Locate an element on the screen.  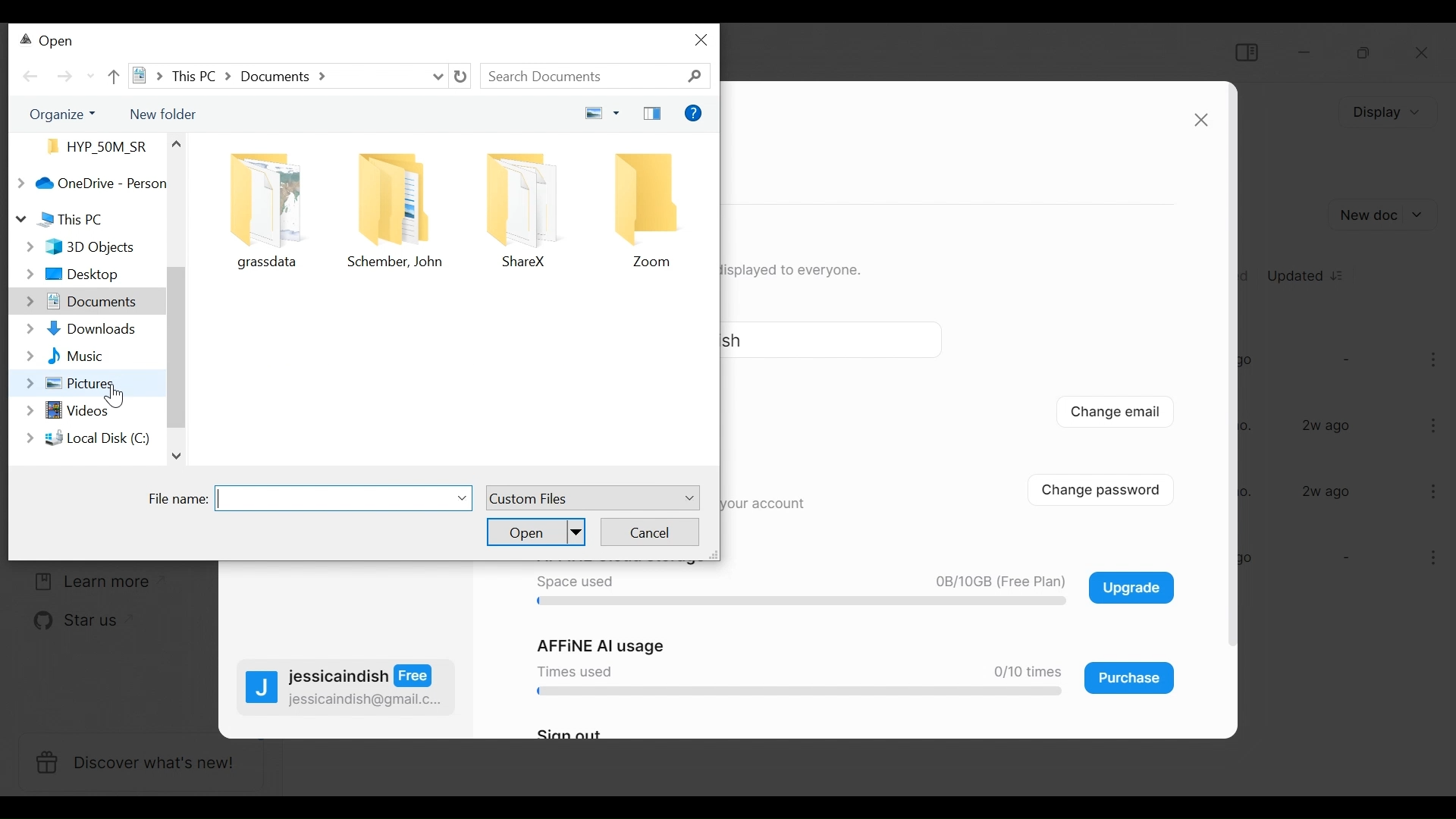
2w ago is located at coordinates (1329, 426).